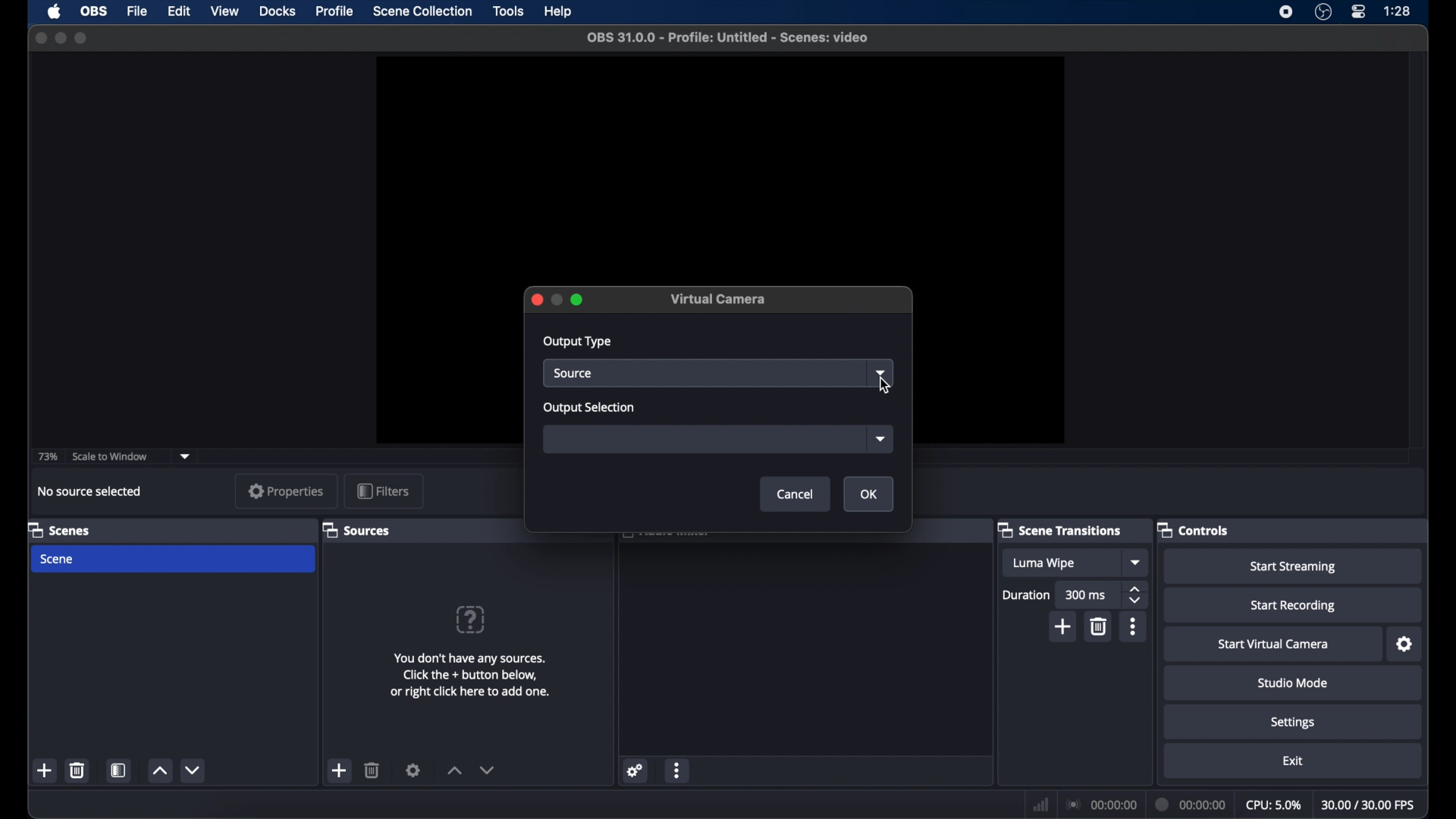  What do you see at coordinates (1100, 804) in the screenshot?
I see `connection` at bounding box center [1100, 804].